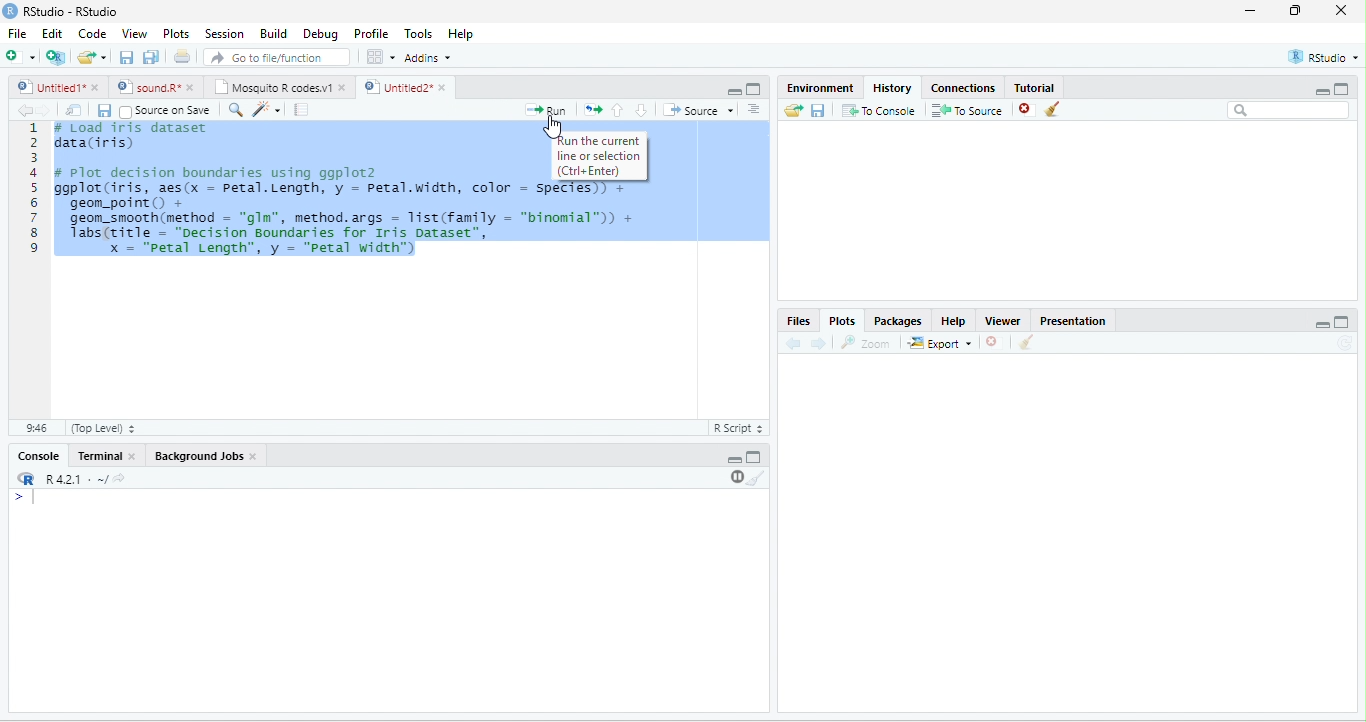 This screenshot has height=722, width=1366. What do you see at coordinates (754, 457) in the screenshot?
I see `Maximize` at bounding box center [754, 457].